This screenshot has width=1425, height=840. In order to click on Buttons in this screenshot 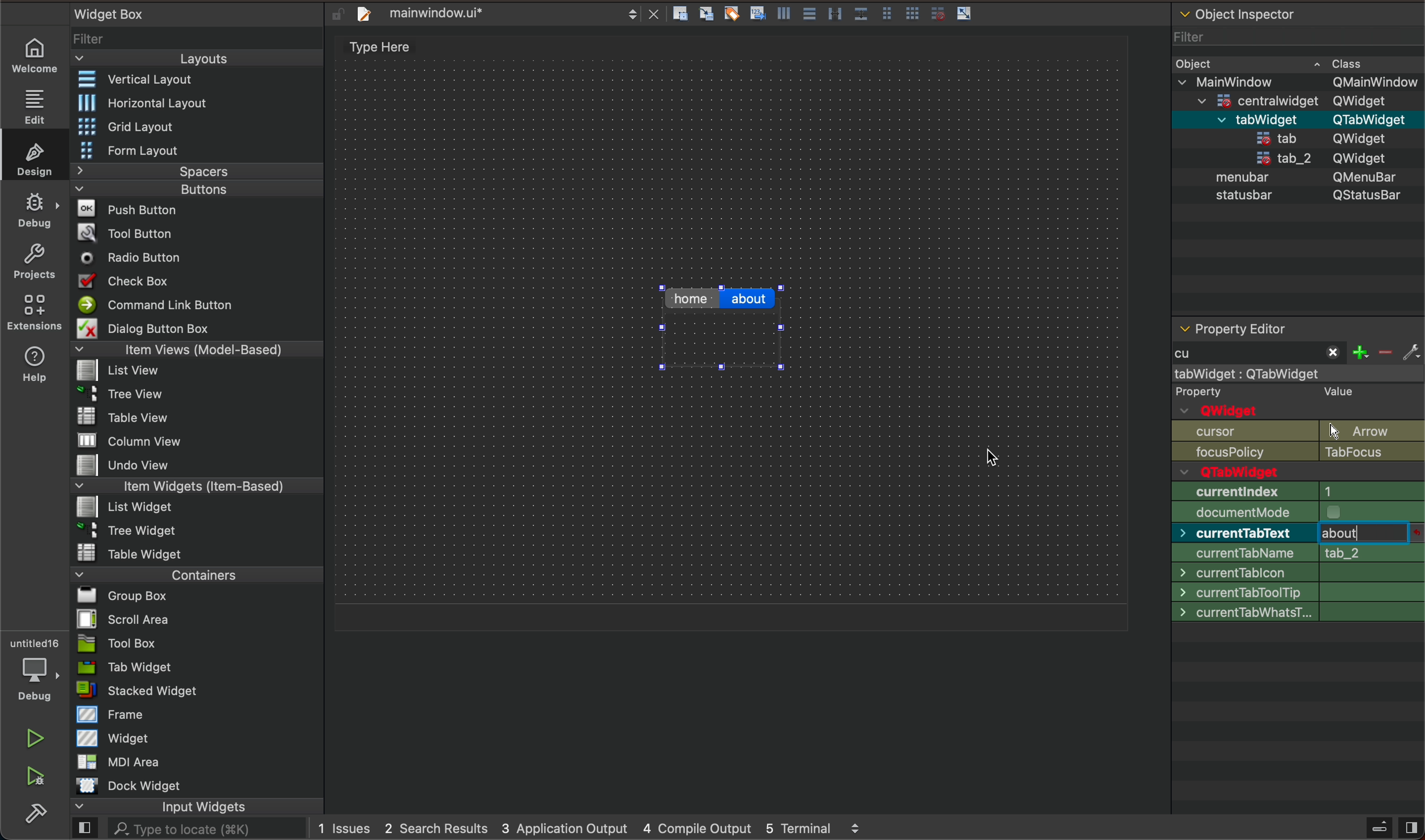, I will do `click(196, 188)`.